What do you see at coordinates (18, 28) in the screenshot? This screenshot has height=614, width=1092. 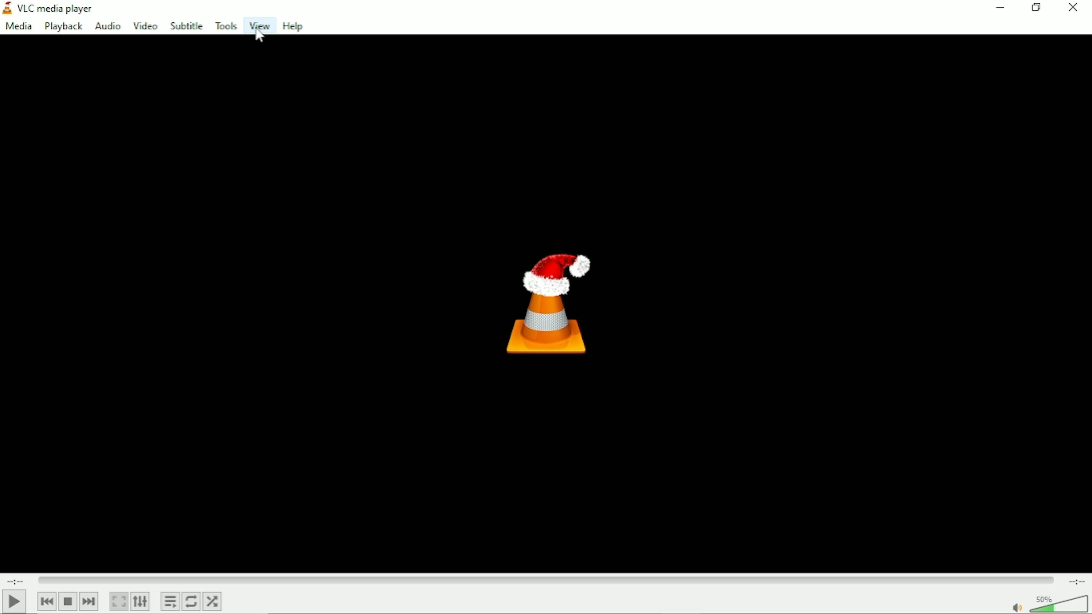 I see `Media` at bounding box center [18, 28].